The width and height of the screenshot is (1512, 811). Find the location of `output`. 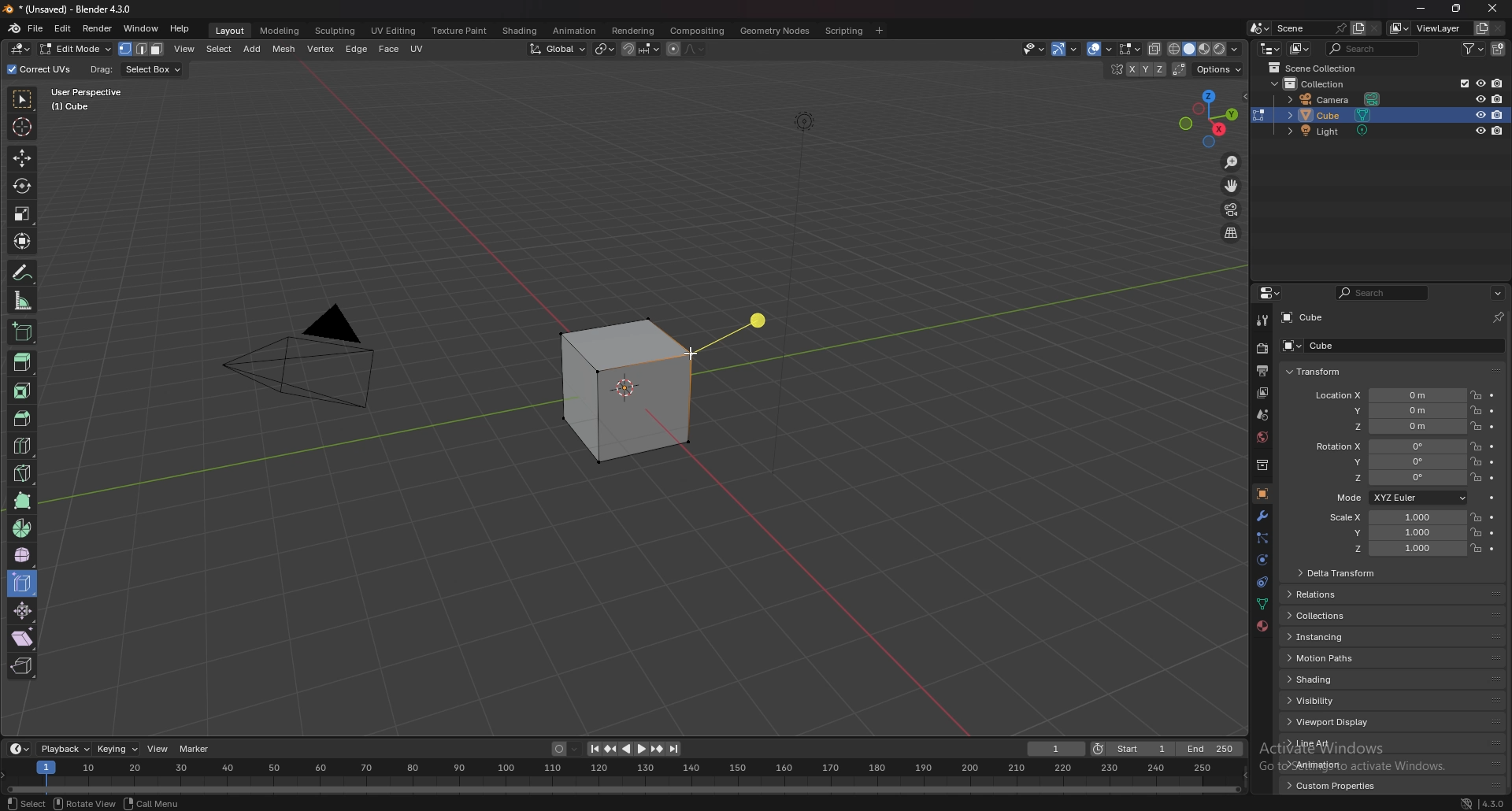

output is located at coordinates (1259, 371).